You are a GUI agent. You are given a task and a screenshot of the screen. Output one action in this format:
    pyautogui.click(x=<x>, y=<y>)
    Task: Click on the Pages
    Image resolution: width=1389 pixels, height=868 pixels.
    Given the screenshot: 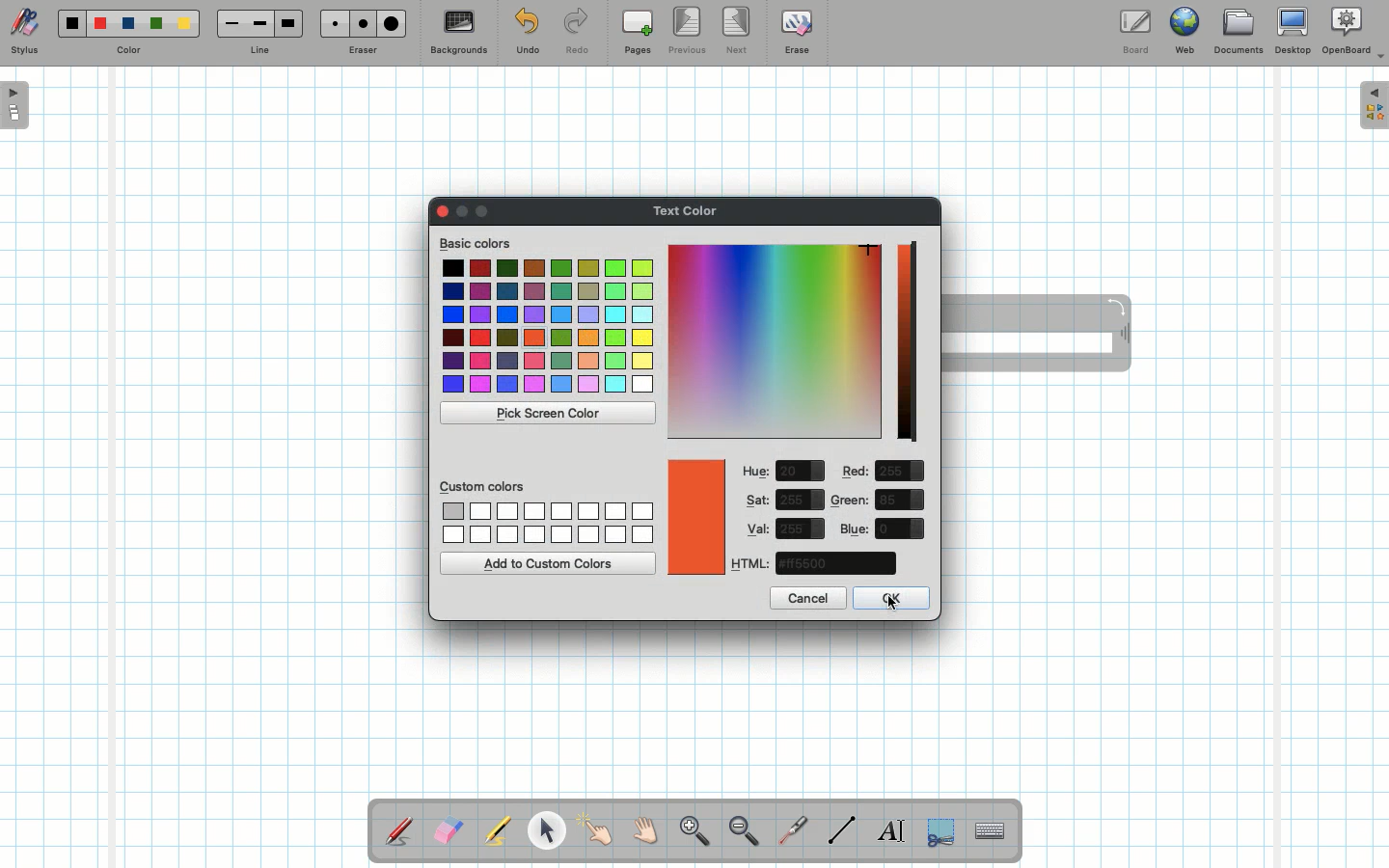 What is the action you would take?
    pyautogui.click(x=638, y=34)
    